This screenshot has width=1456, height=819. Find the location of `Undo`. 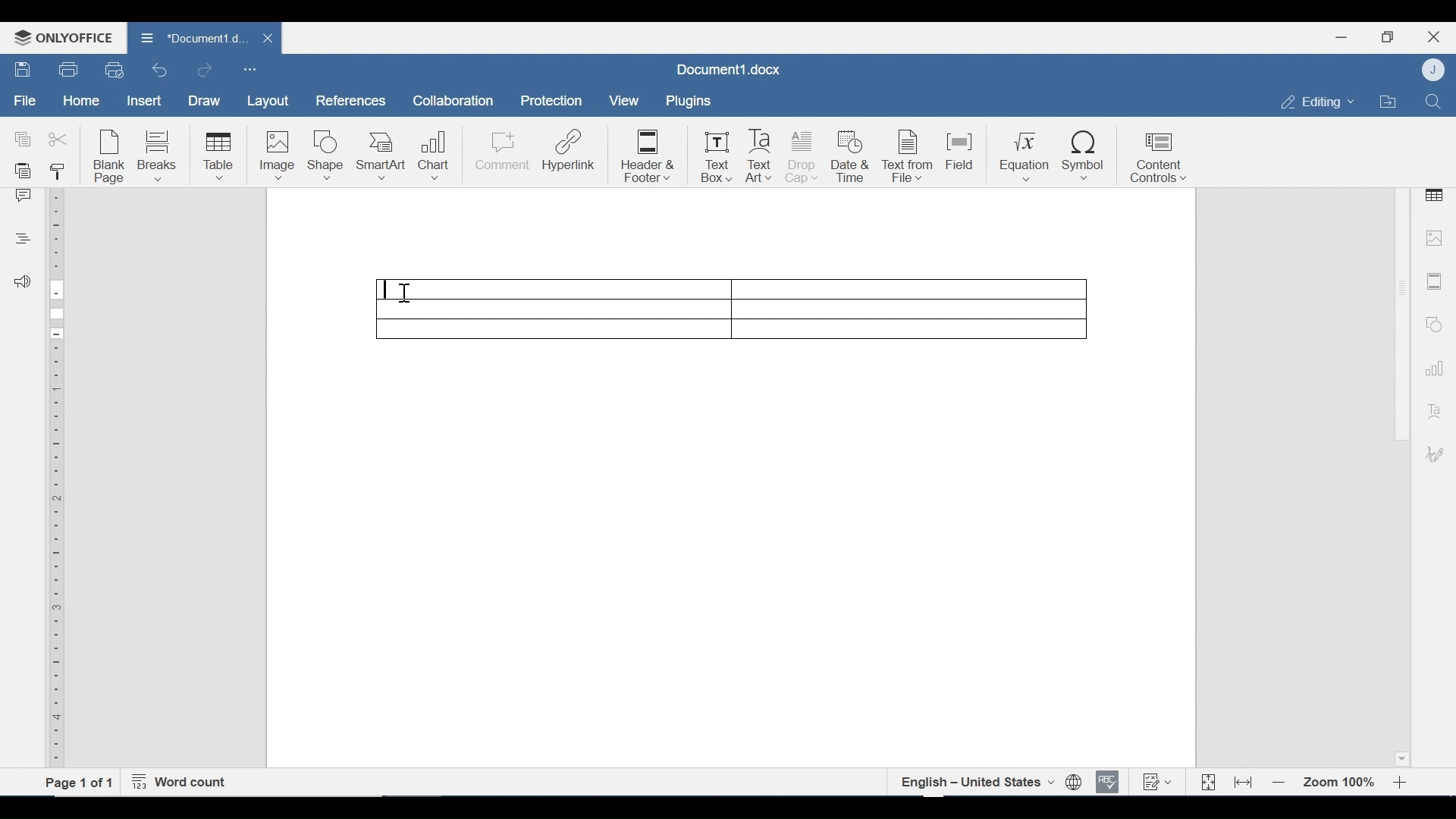

Undo is located at coordinates (160, 70).